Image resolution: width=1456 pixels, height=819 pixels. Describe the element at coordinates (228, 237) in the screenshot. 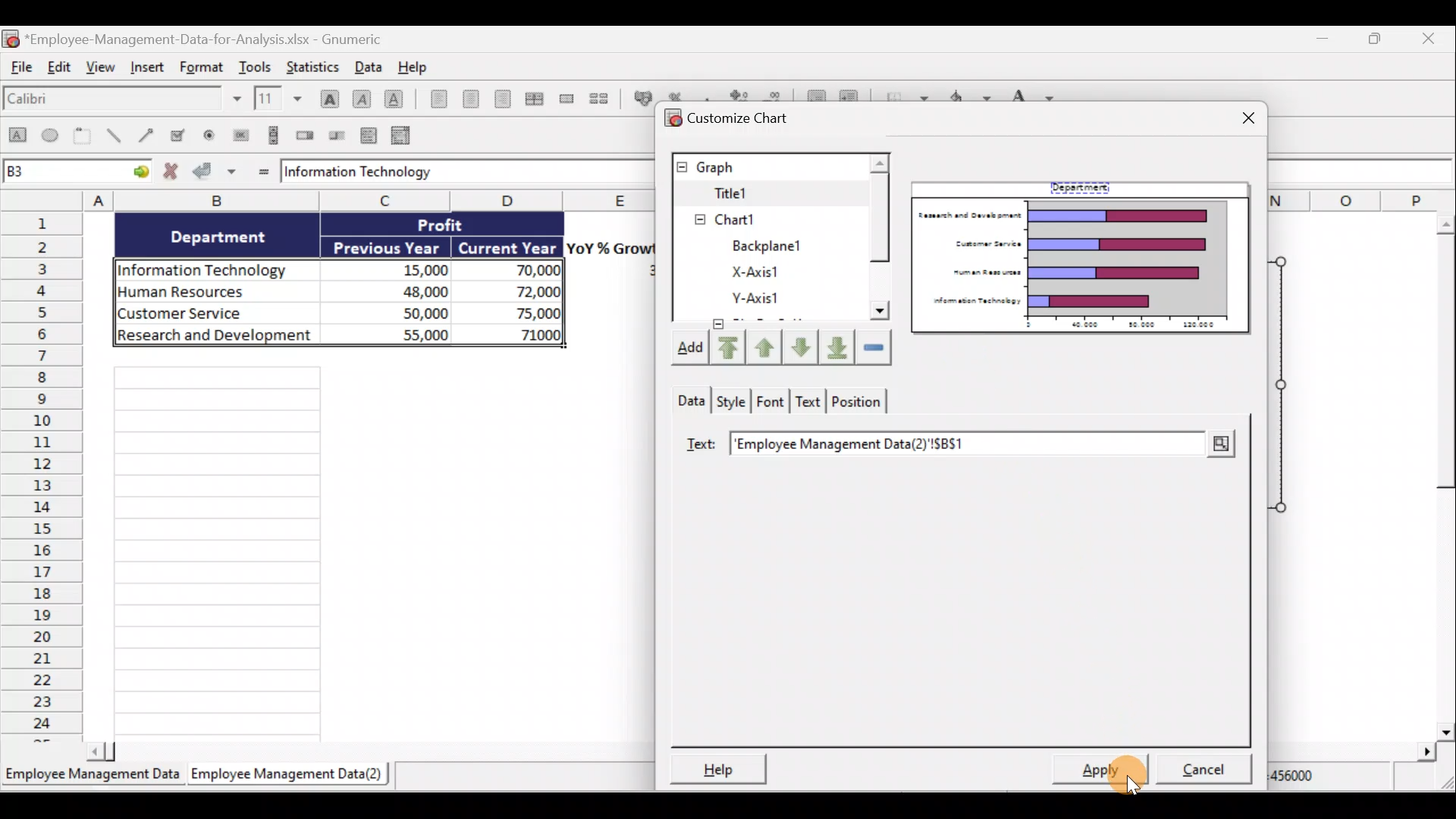

I see `Department` at that location.